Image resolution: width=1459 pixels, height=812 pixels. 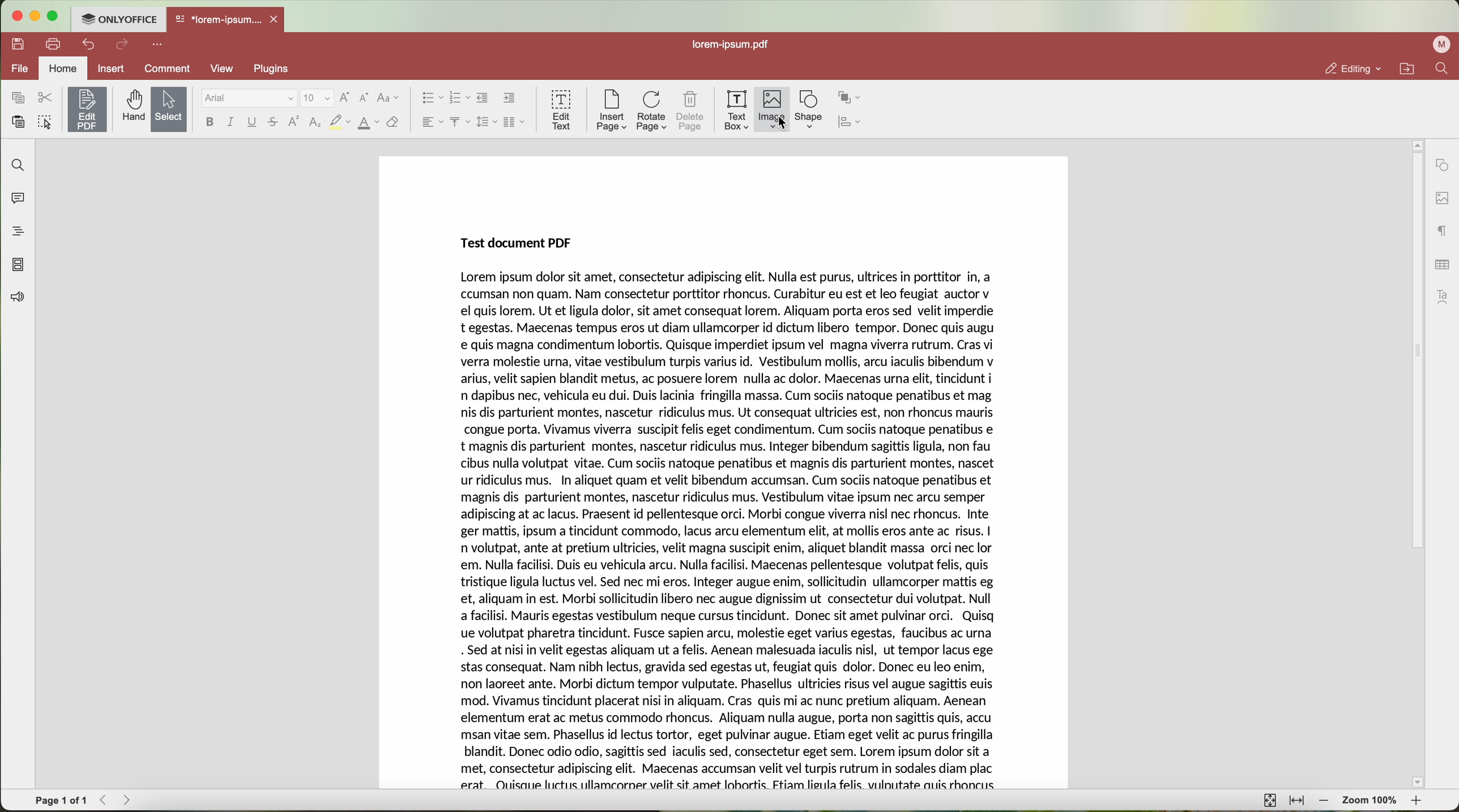 I want to click on image settings, so click(x=1442, y=199).